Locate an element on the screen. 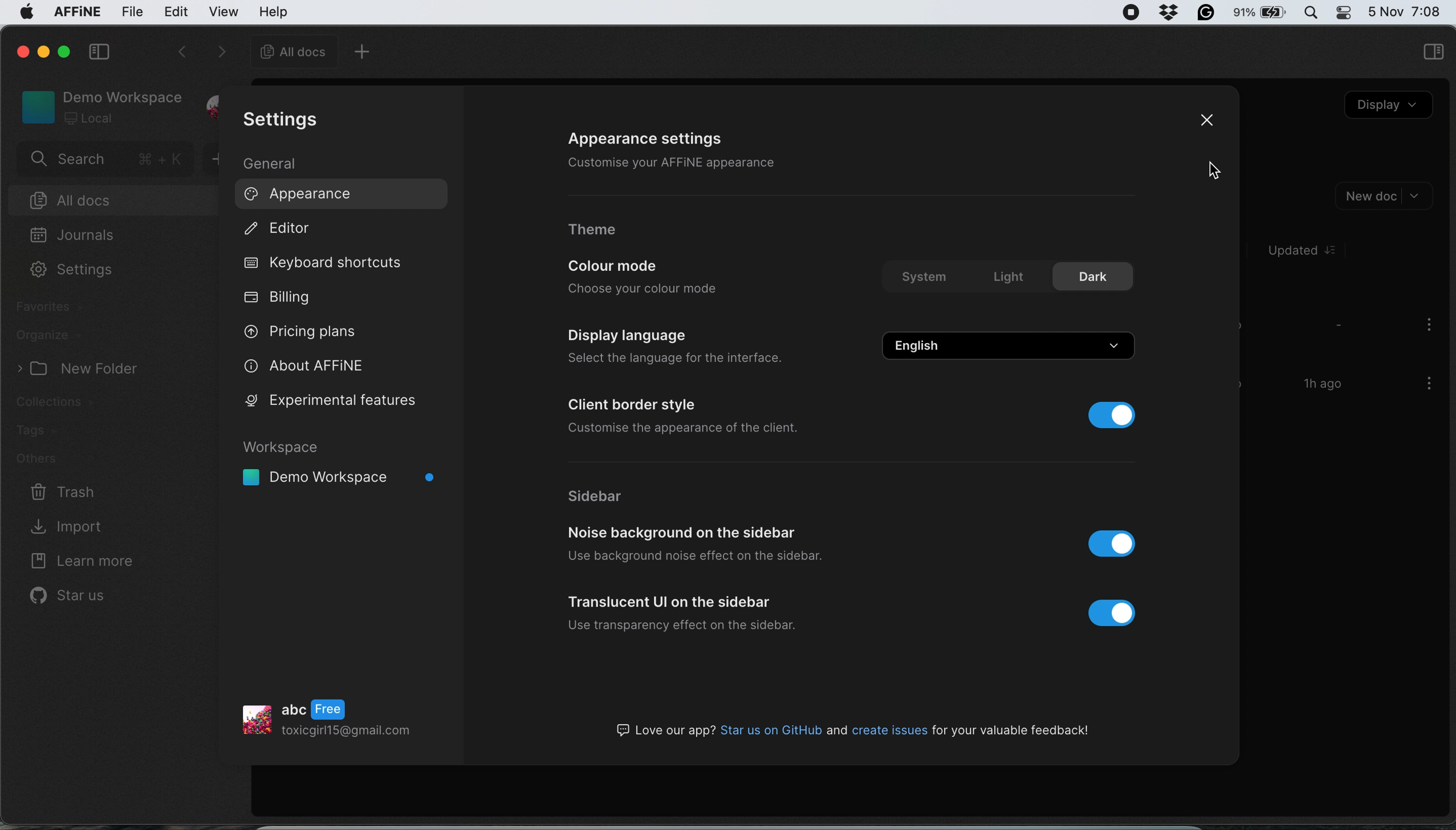  new tab is located at coordinates (361, 51).